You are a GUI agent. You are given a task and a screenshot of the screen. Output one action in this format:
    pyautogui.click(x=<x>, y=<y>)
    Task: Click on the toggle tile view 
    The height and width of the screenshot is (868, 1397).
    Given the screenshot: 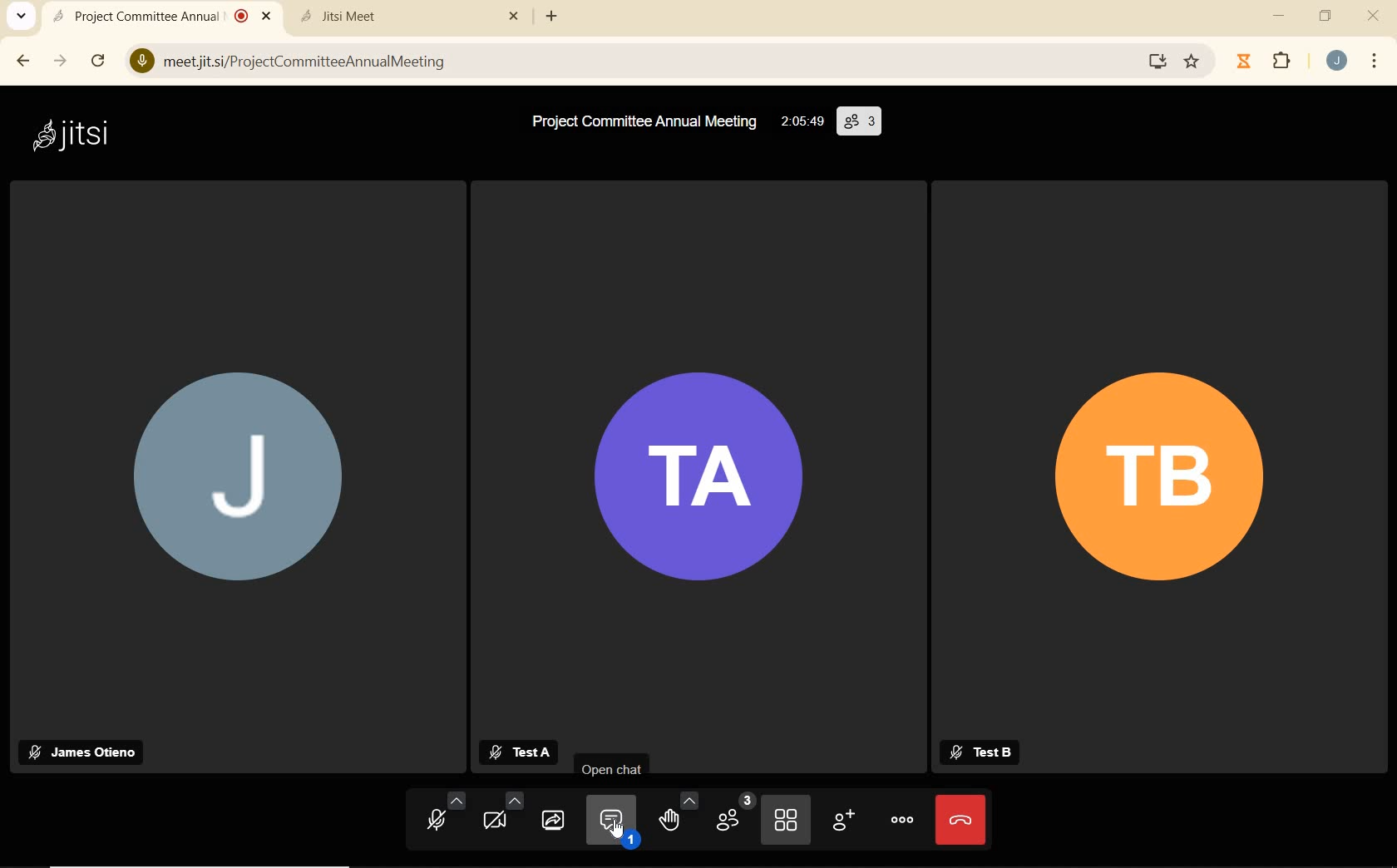 What is the action you would take?
    pyautogui.click(x=786, y=821)
    